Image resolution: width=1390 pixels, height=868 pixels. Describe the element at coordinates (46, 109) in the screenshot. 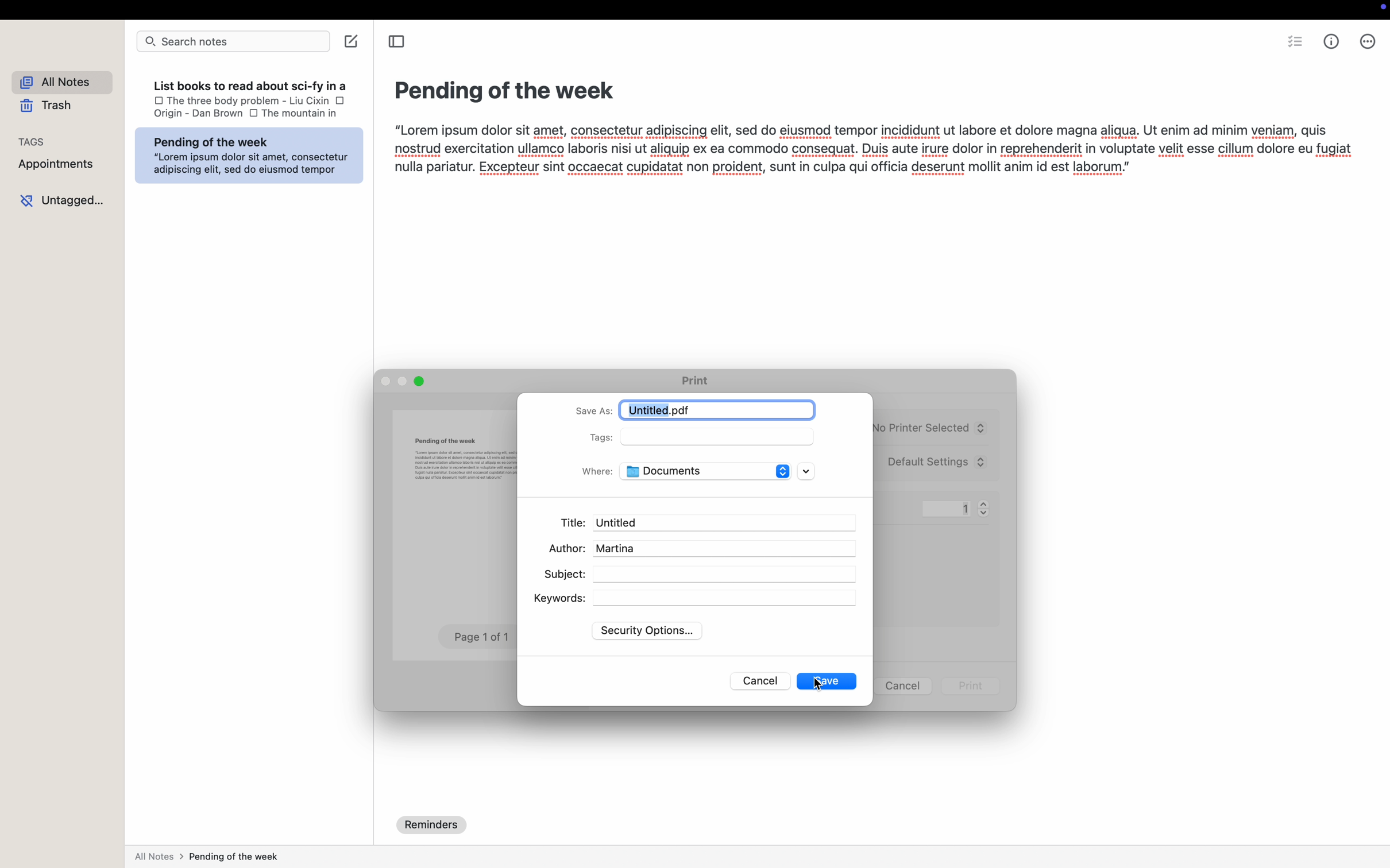

I see `trash` at that location.